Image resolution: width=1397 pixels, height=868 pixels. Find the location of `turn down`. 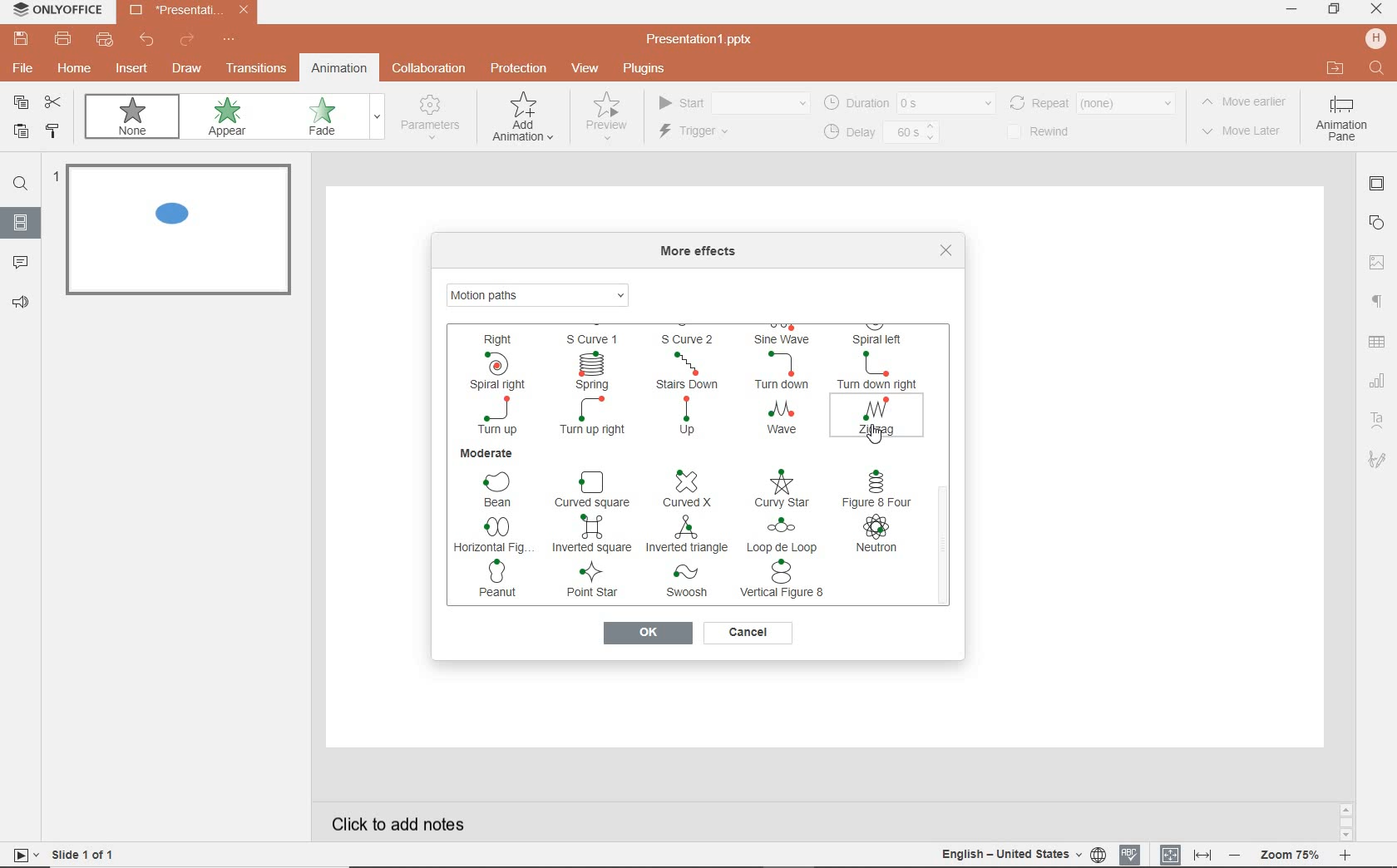

turn down is located at coordinates (784, 371).